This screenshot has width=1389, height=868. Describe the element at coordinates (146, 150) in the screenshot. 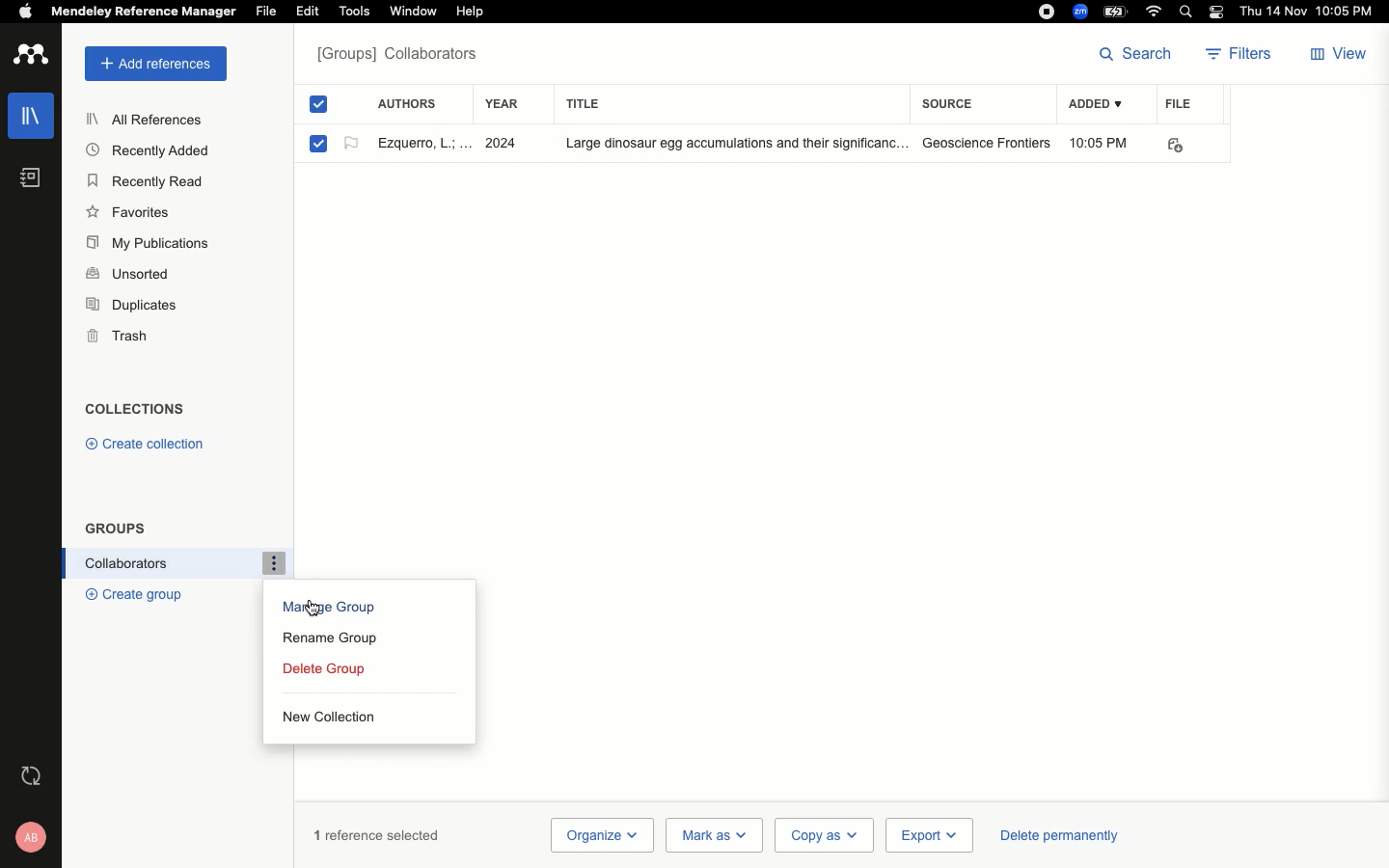

I see `Recently added` at that location.